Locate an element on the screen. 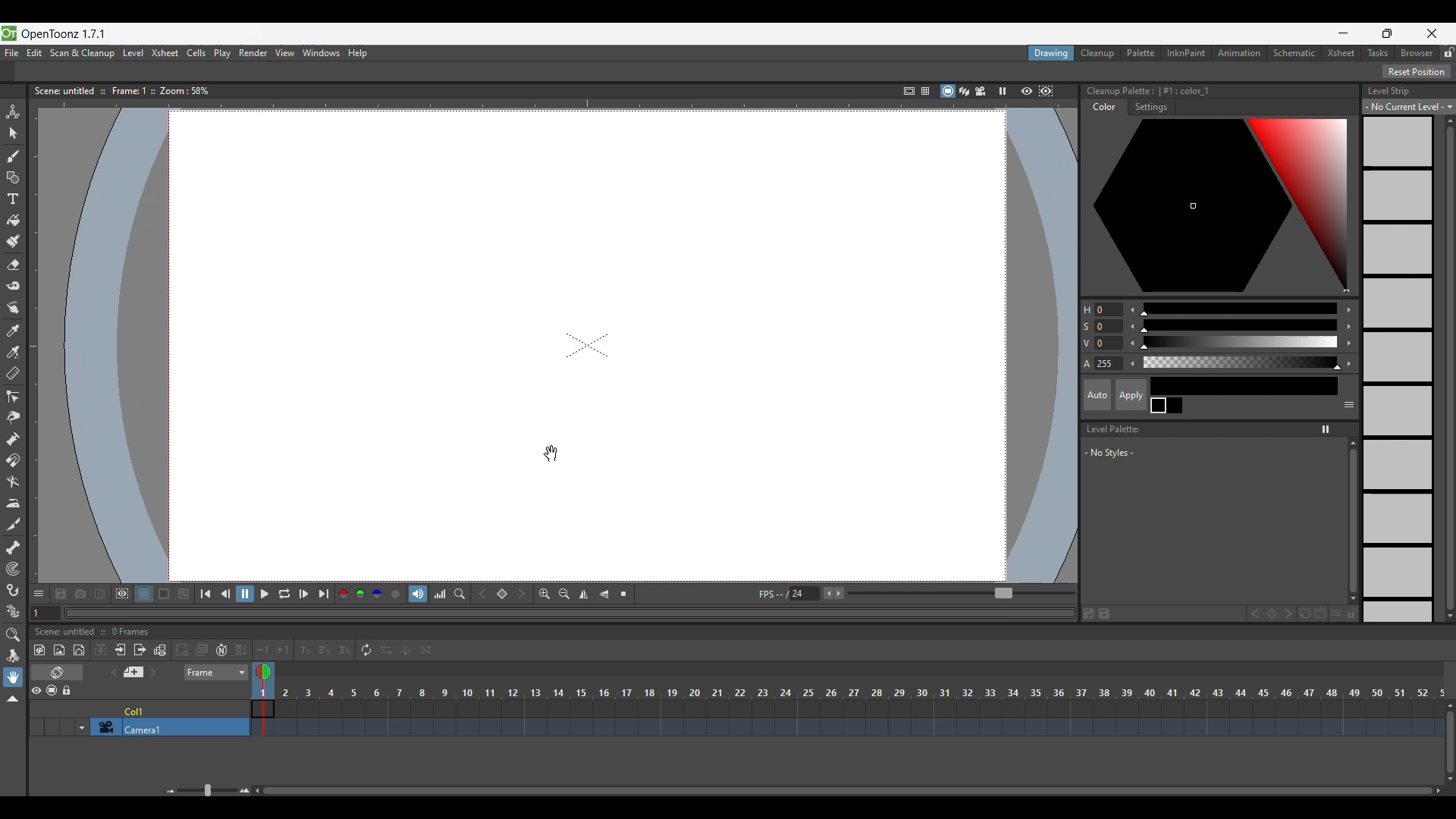 This screenshot has height=819, width=1456. OpenToonz version is located at coordinates (64, 34).